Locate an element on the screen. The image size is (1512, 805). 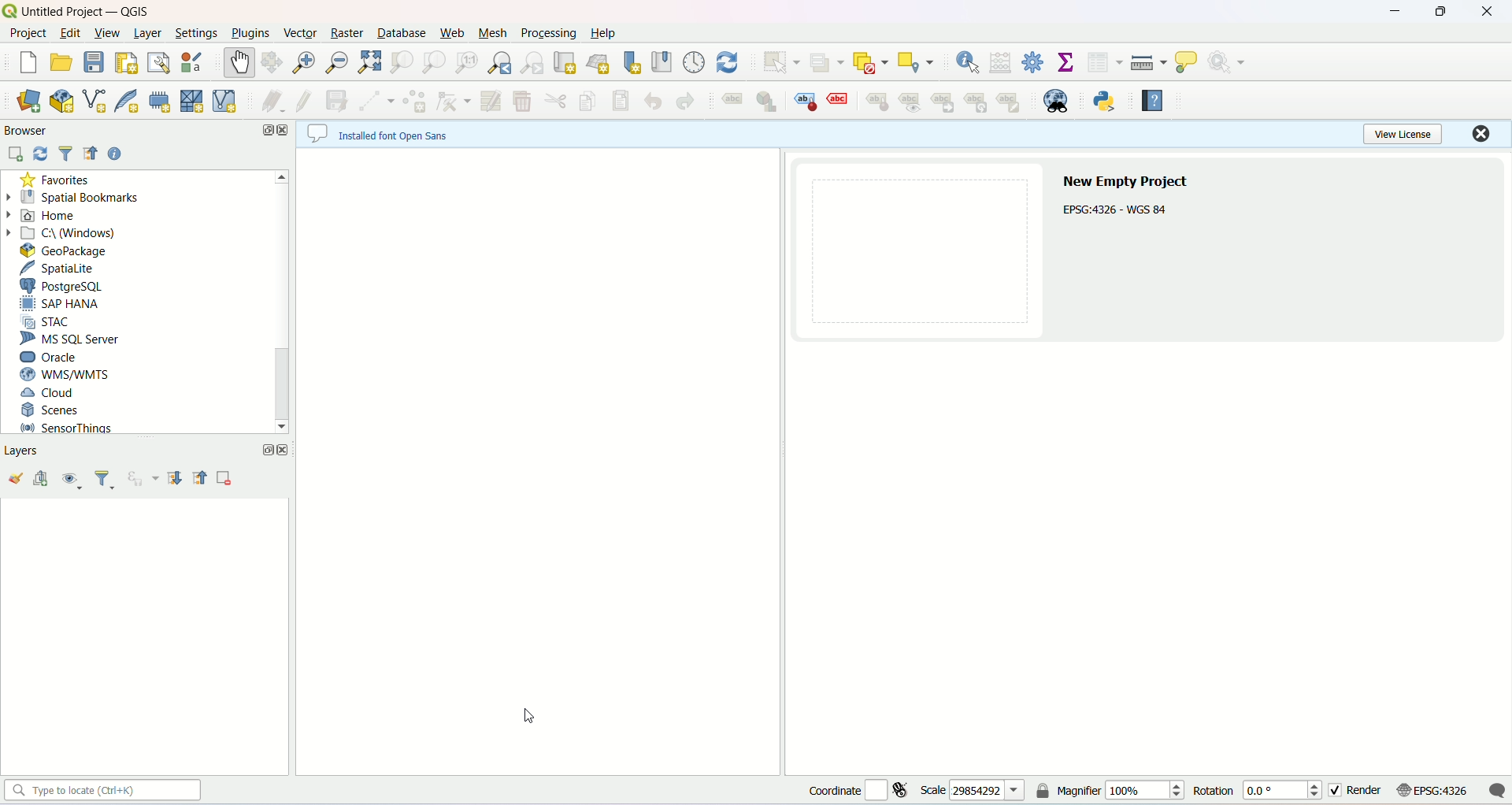
~~ Installed font Open Sans is located at coordinates (386, 133).